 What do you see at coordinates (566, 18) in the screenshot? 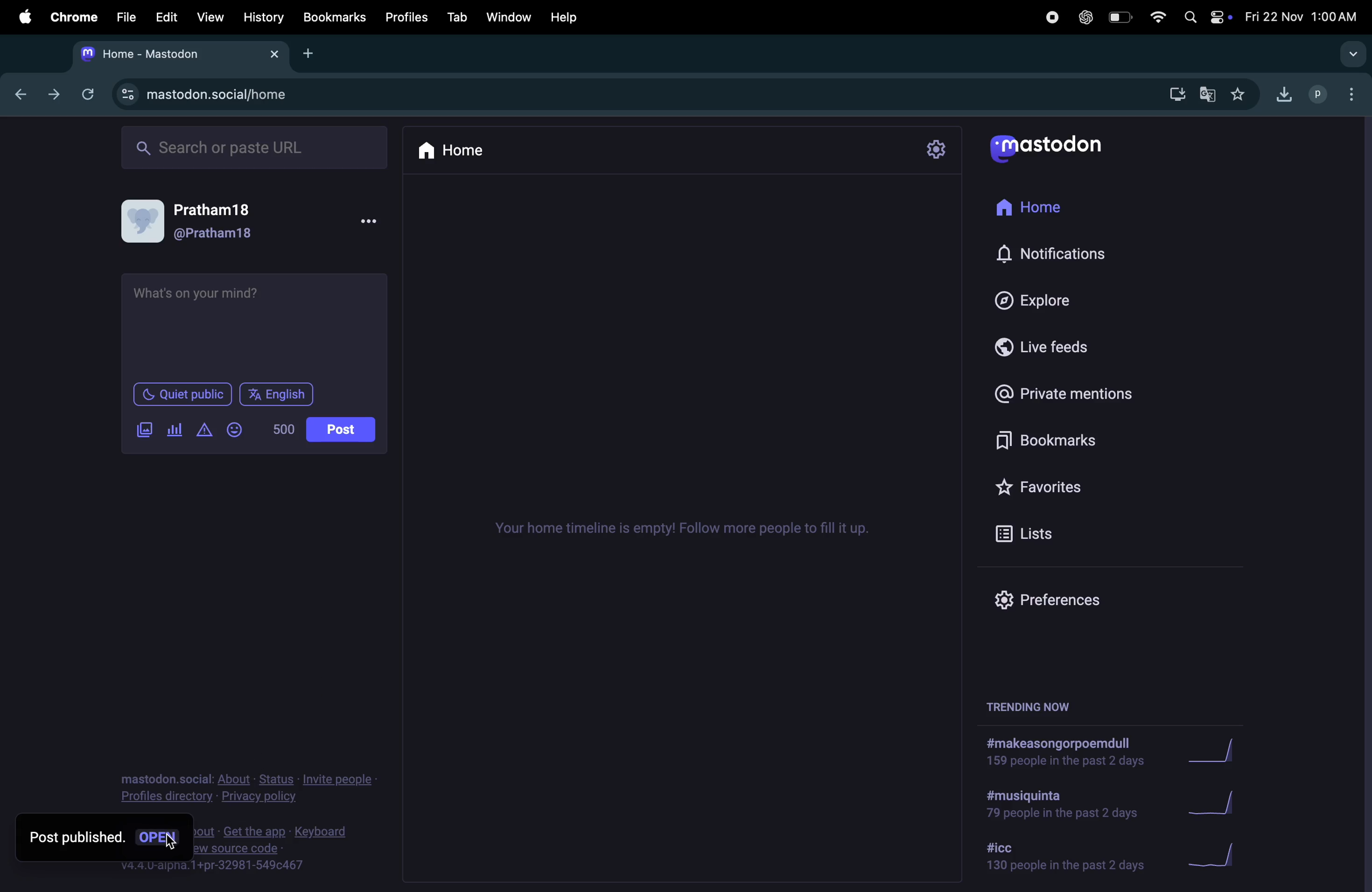
I see `help` at bounding box center [566, 18].